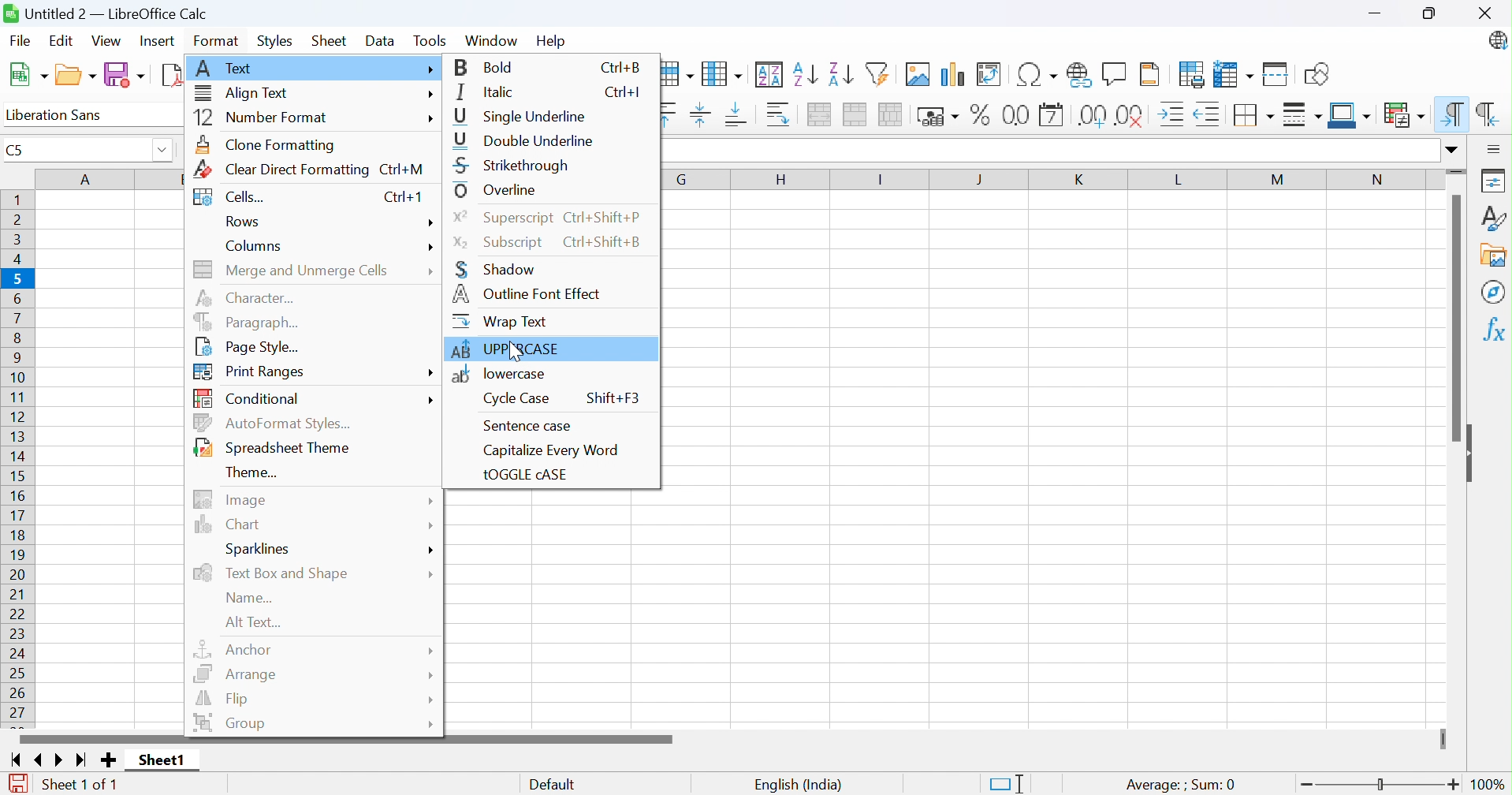 The image size is (1512, 795). What do you see at coordinates (606, 243) in the screenshot?
I see `Ctrl+Shift+B` at bounding box center [606, 243].